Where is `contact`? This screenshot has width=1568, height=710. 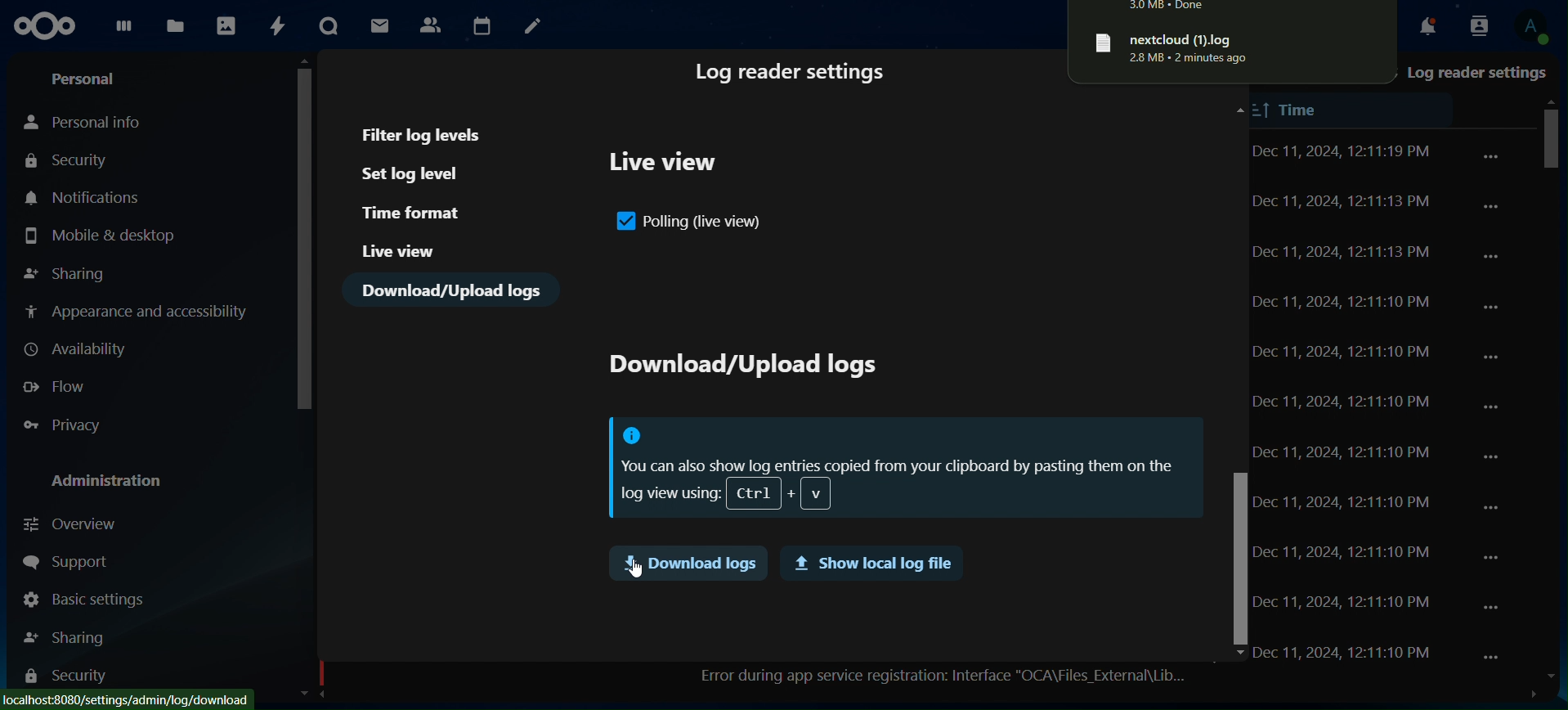 contact is located at coordinates (432, 25).